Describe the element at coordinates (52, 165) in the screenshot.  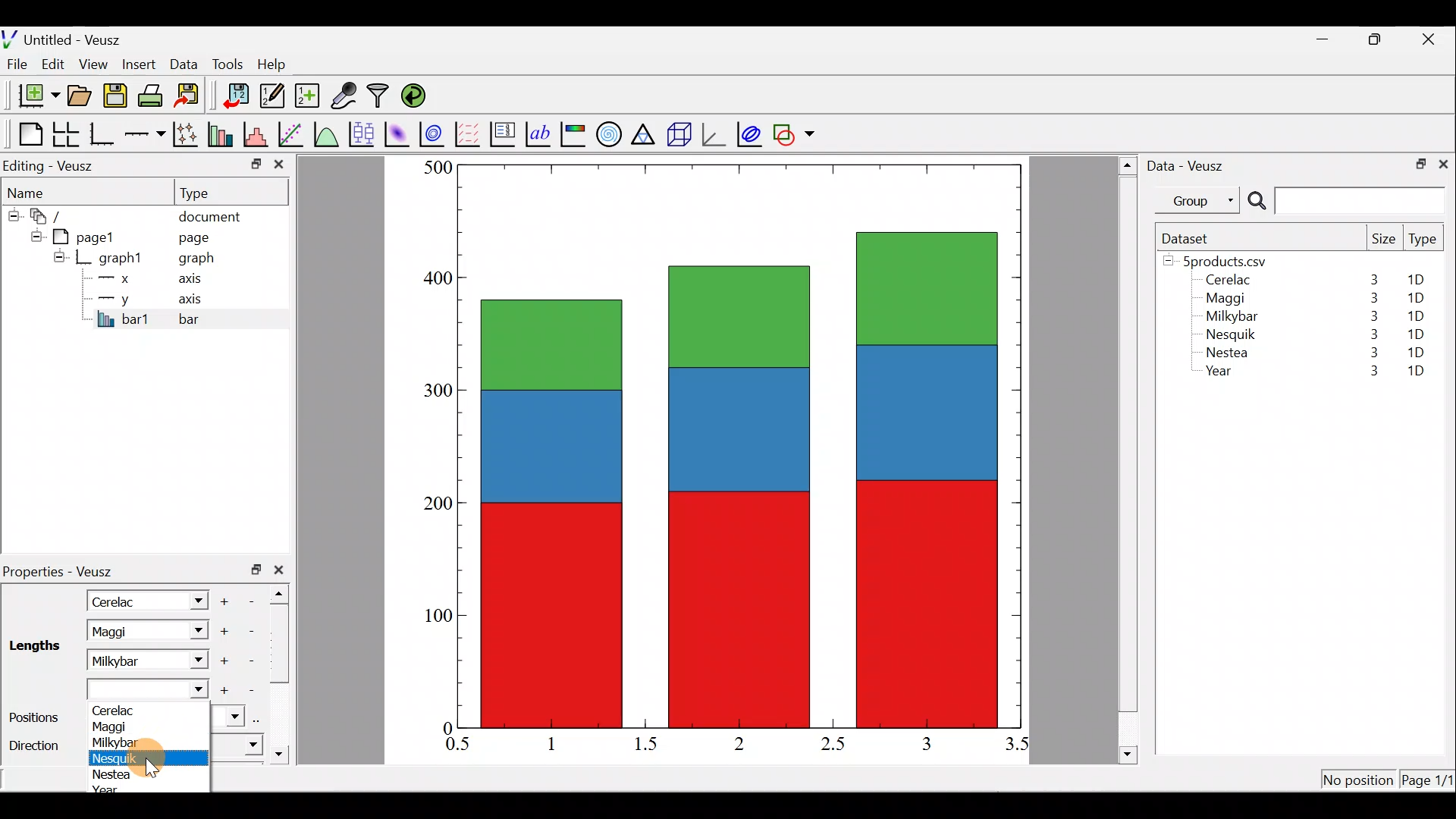
I see `Editing - Veusz` at that location.